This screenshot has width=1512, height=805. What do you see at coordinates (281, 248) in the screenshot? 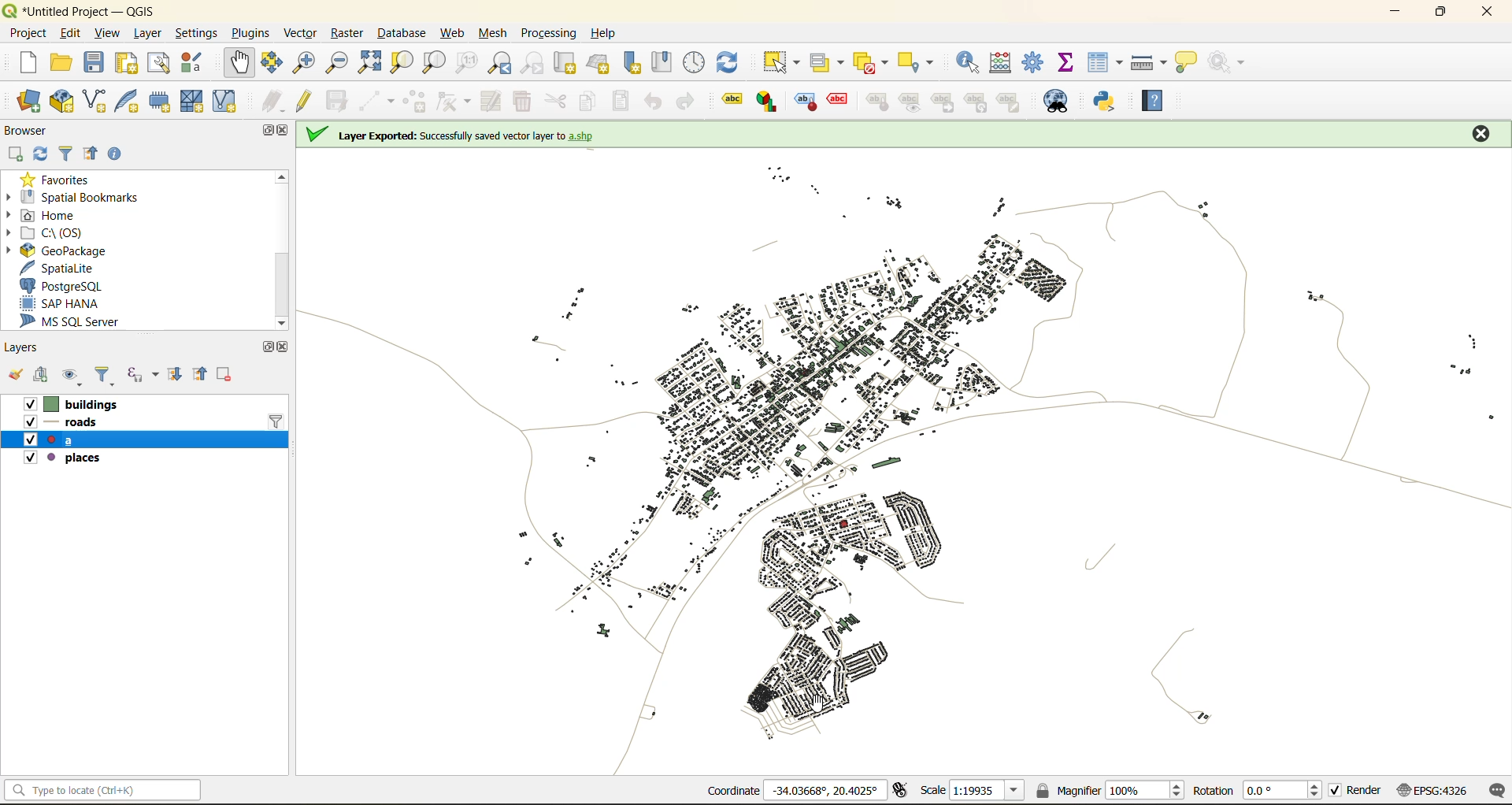
I see `scrollbar` at bounding box center [281, 248].